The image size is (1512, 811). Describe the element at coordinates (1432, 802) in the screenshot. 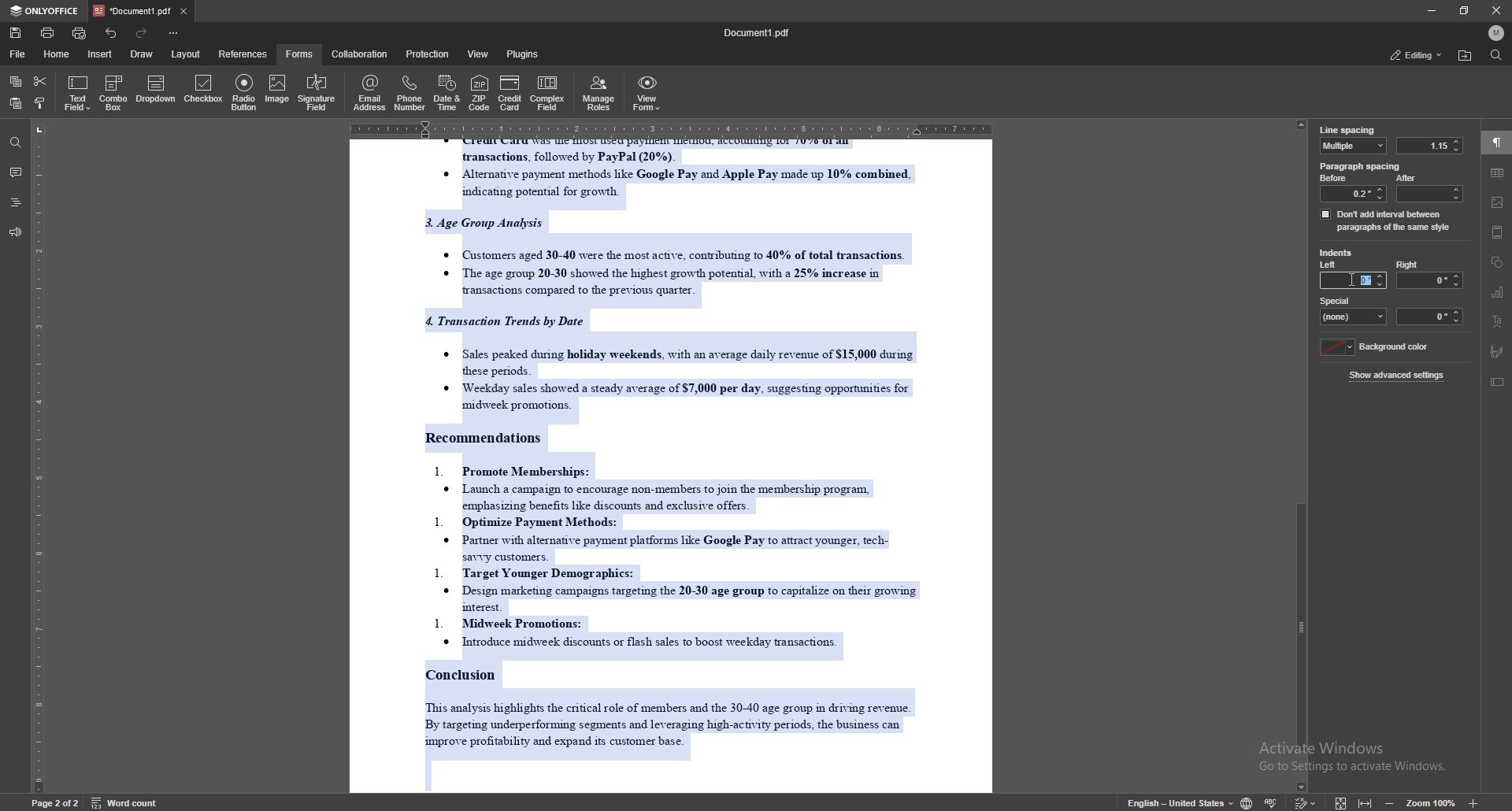

I see `zoom` at that location.